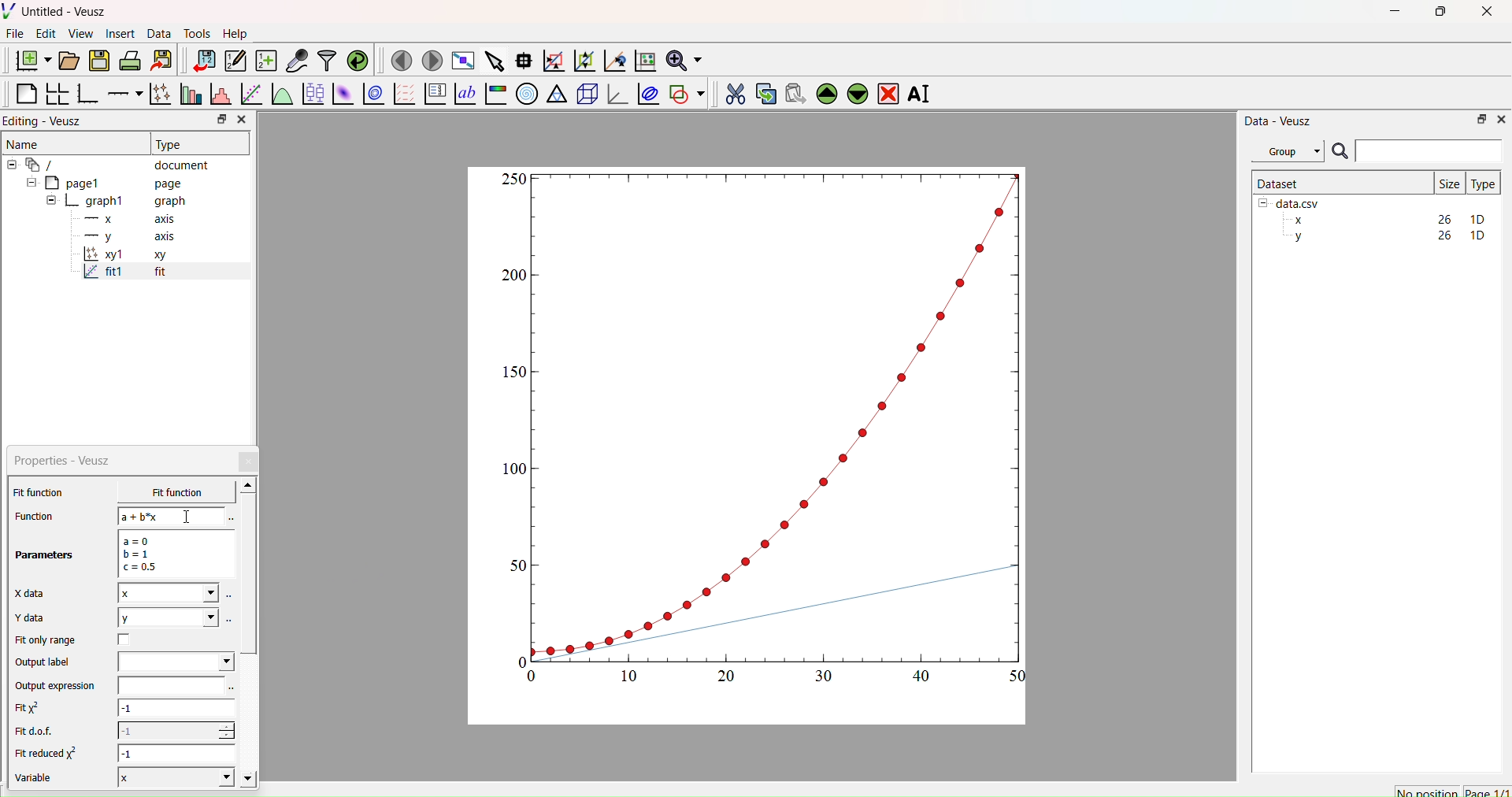 This screenshot has width=1512, height=797. What do you see at coordinates (161, 61) in the screenshot?
I see `Export to graphics format` at bounding box center [161, 61].